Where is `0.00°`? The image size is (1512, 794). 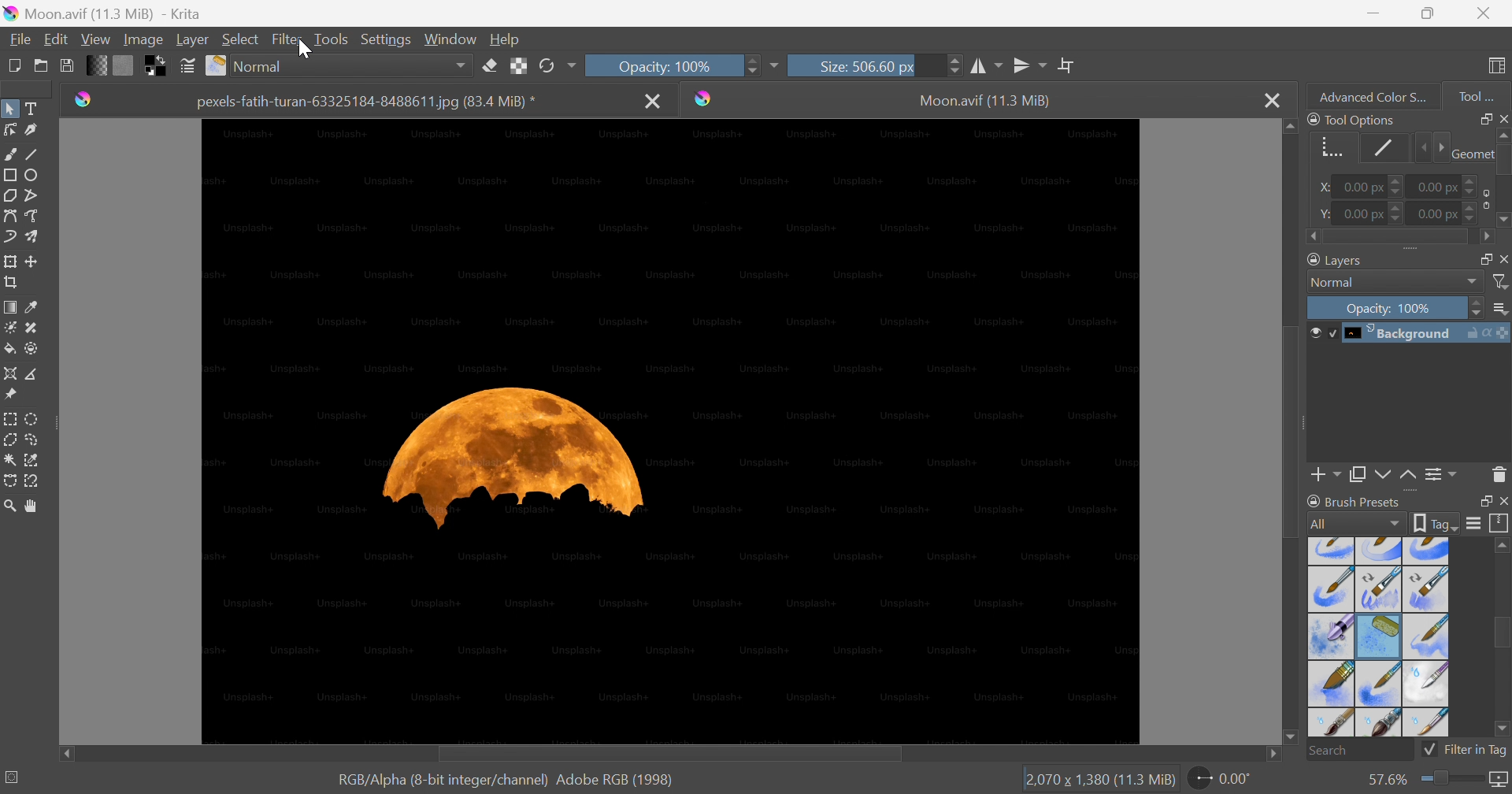
0.00° is located at coordinates (1222, 777).